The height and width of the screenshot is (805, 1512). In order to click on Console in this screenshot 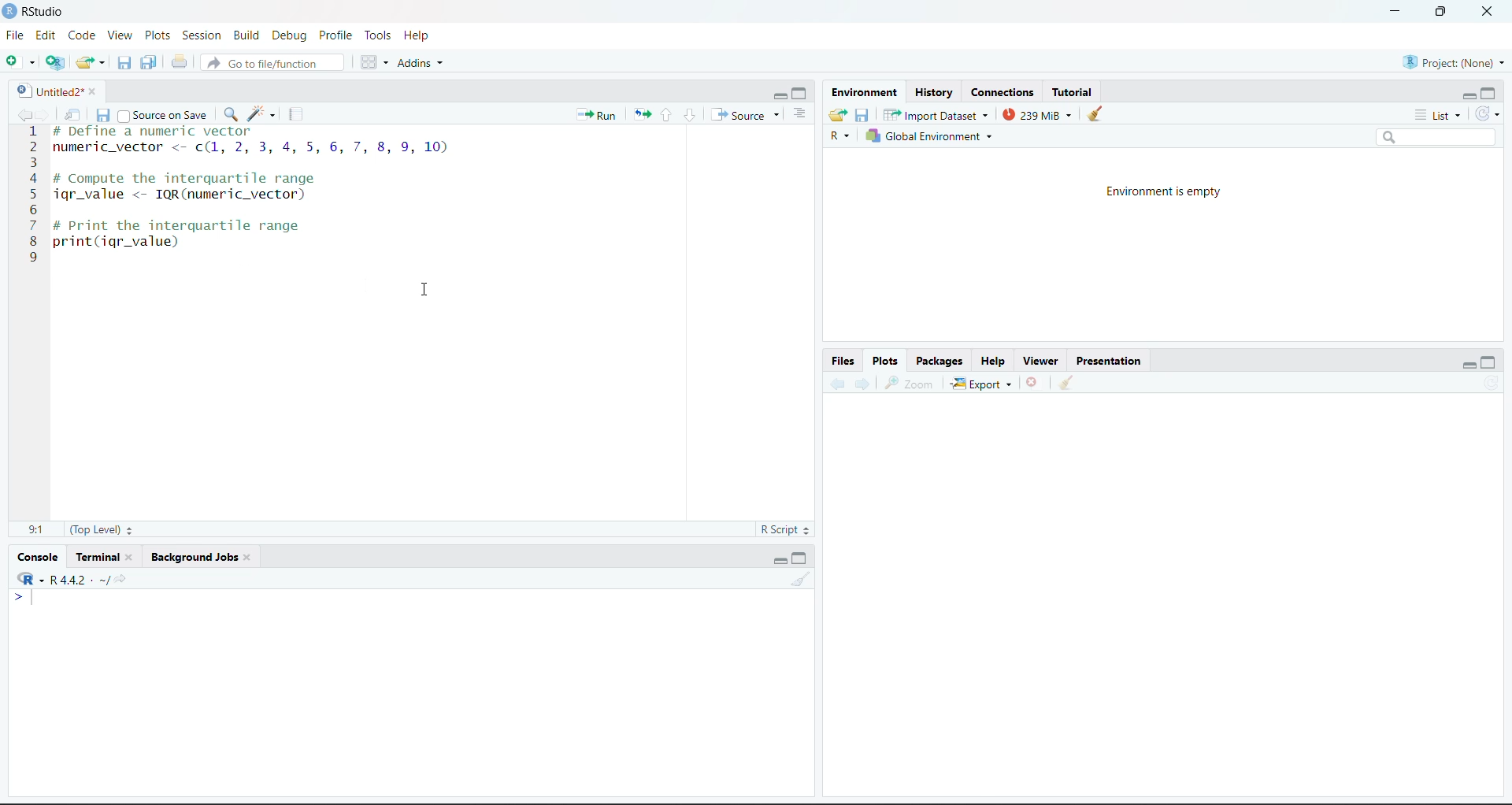, I will do `click(36, 556)`.